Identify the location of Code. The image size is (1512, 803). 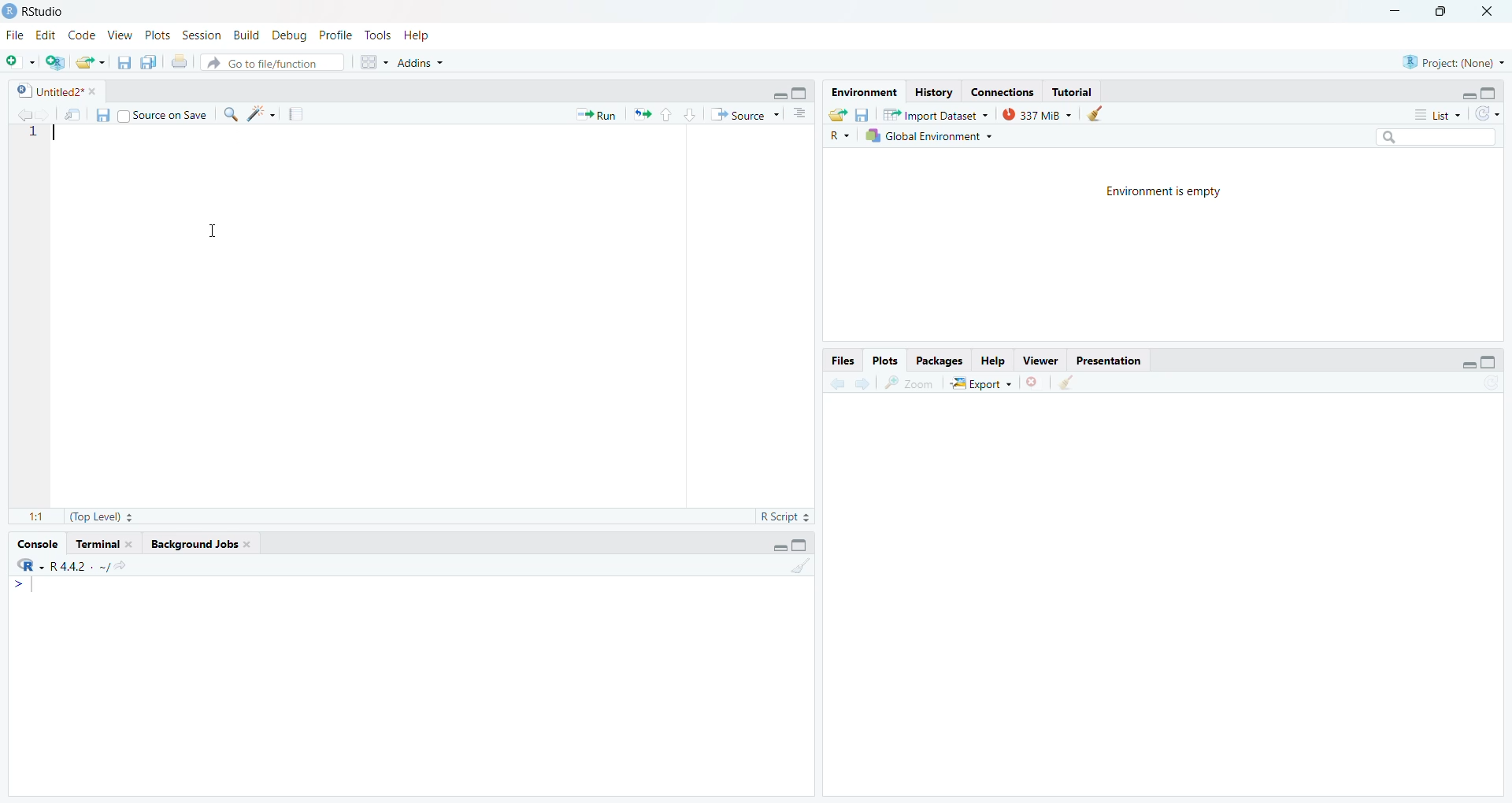
(83, 35).